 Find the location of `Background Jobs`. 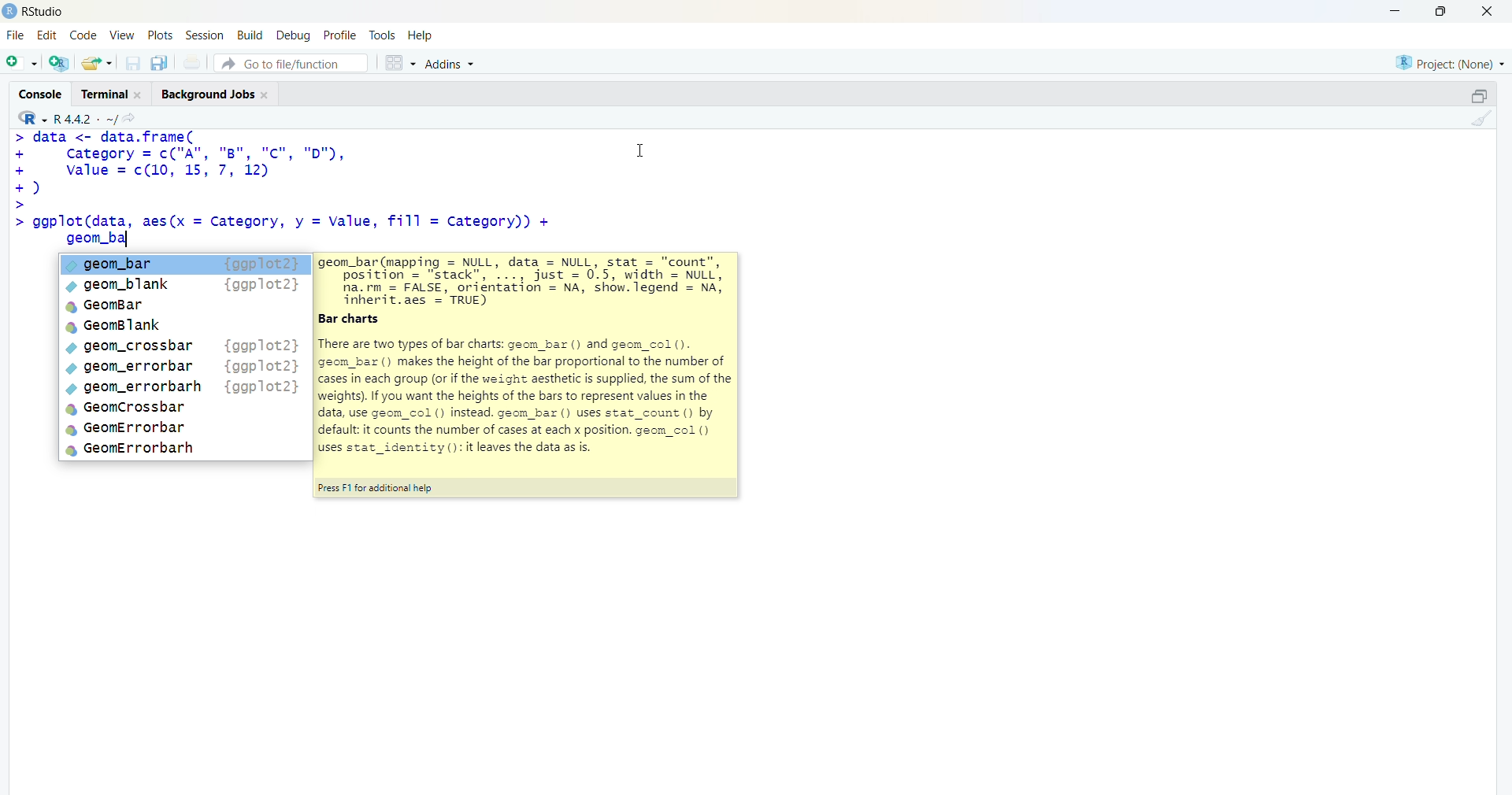

Background Jobs is located at coordinates (214, 91).